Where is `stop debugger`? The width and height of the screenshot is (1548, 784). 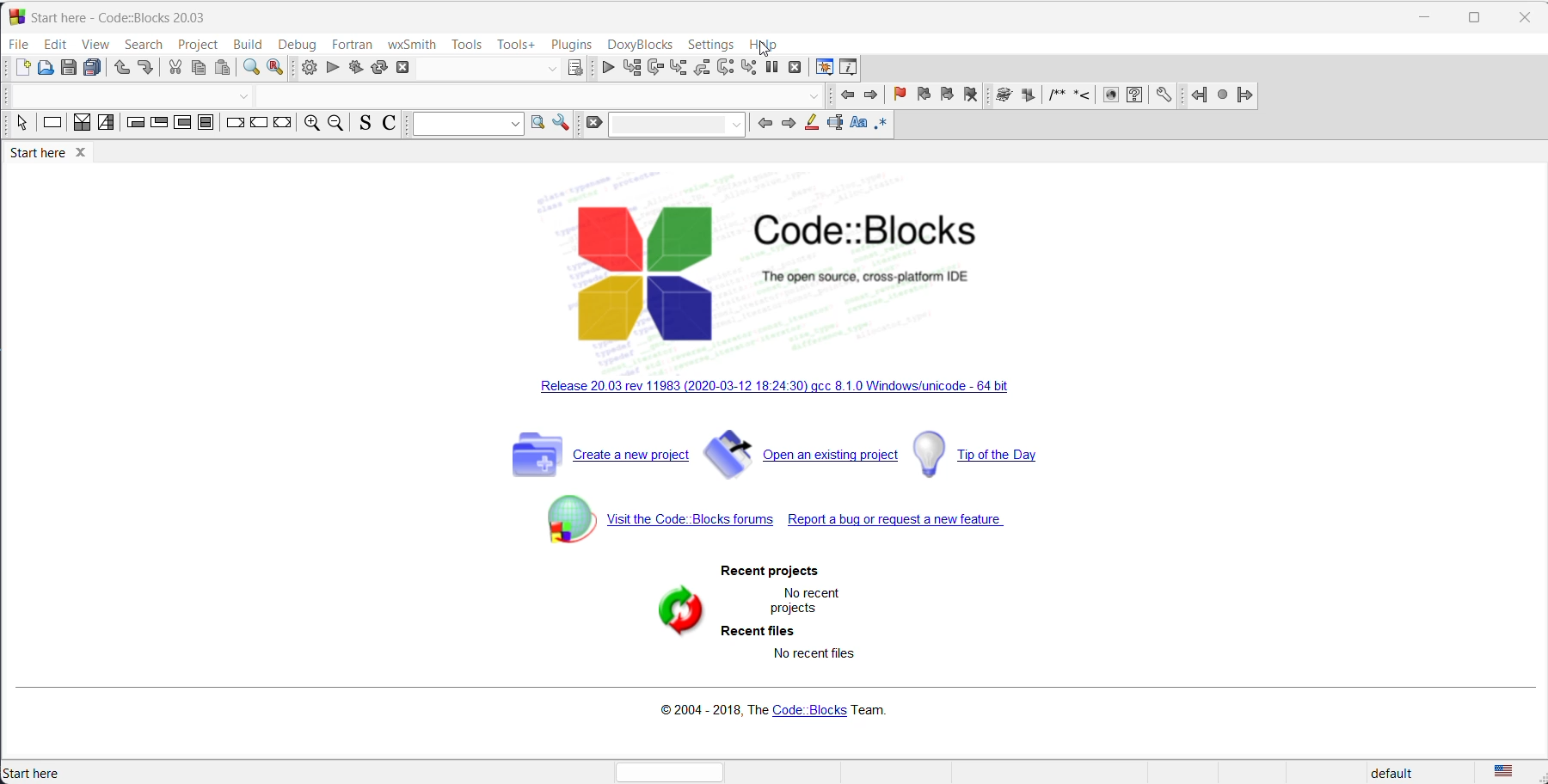 stop debugger is located at coordinates (794, 67).